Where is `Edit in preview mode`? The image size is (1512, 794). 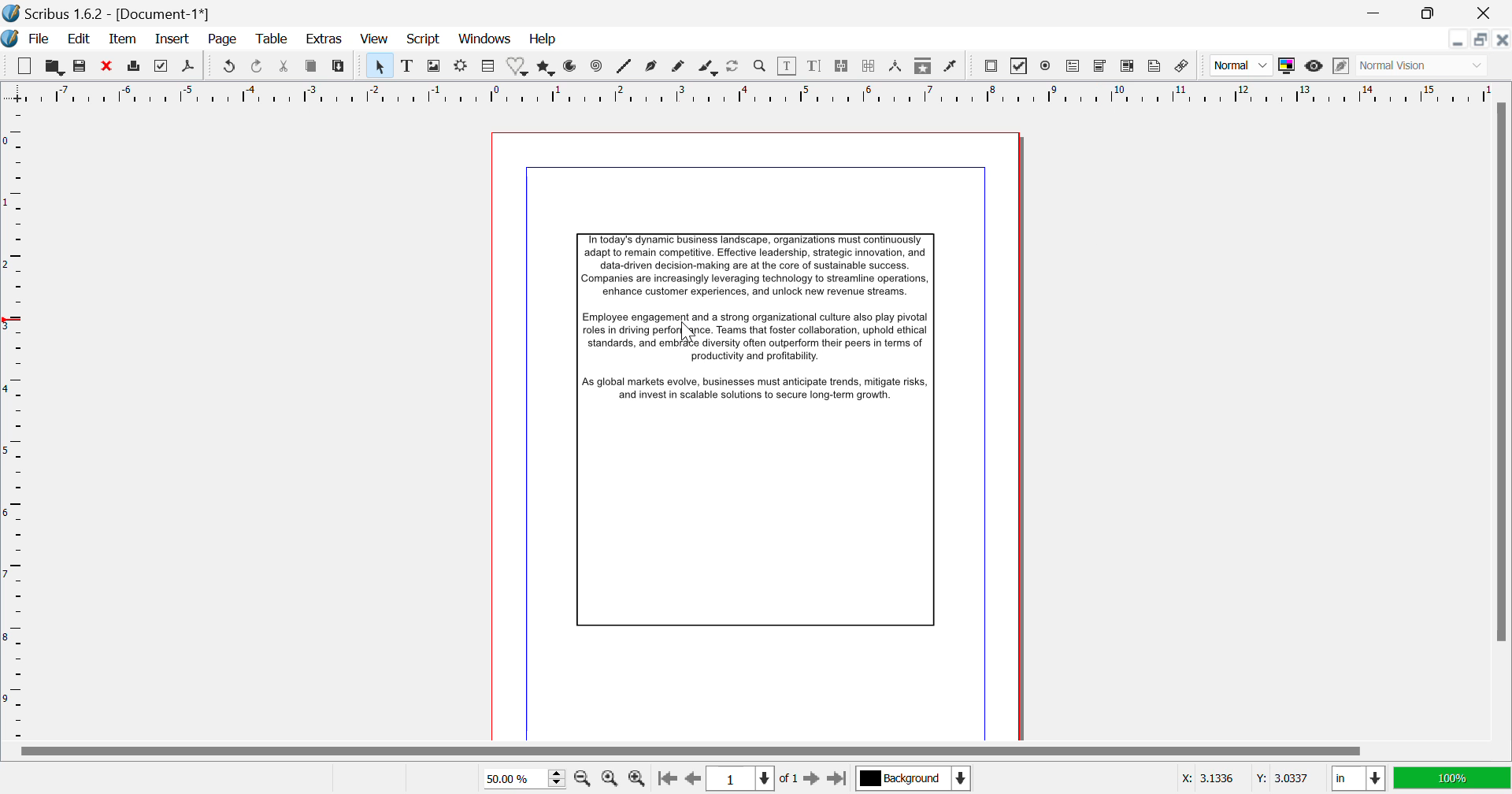 Edit in preview mode is located at coordinates (1339, 66).